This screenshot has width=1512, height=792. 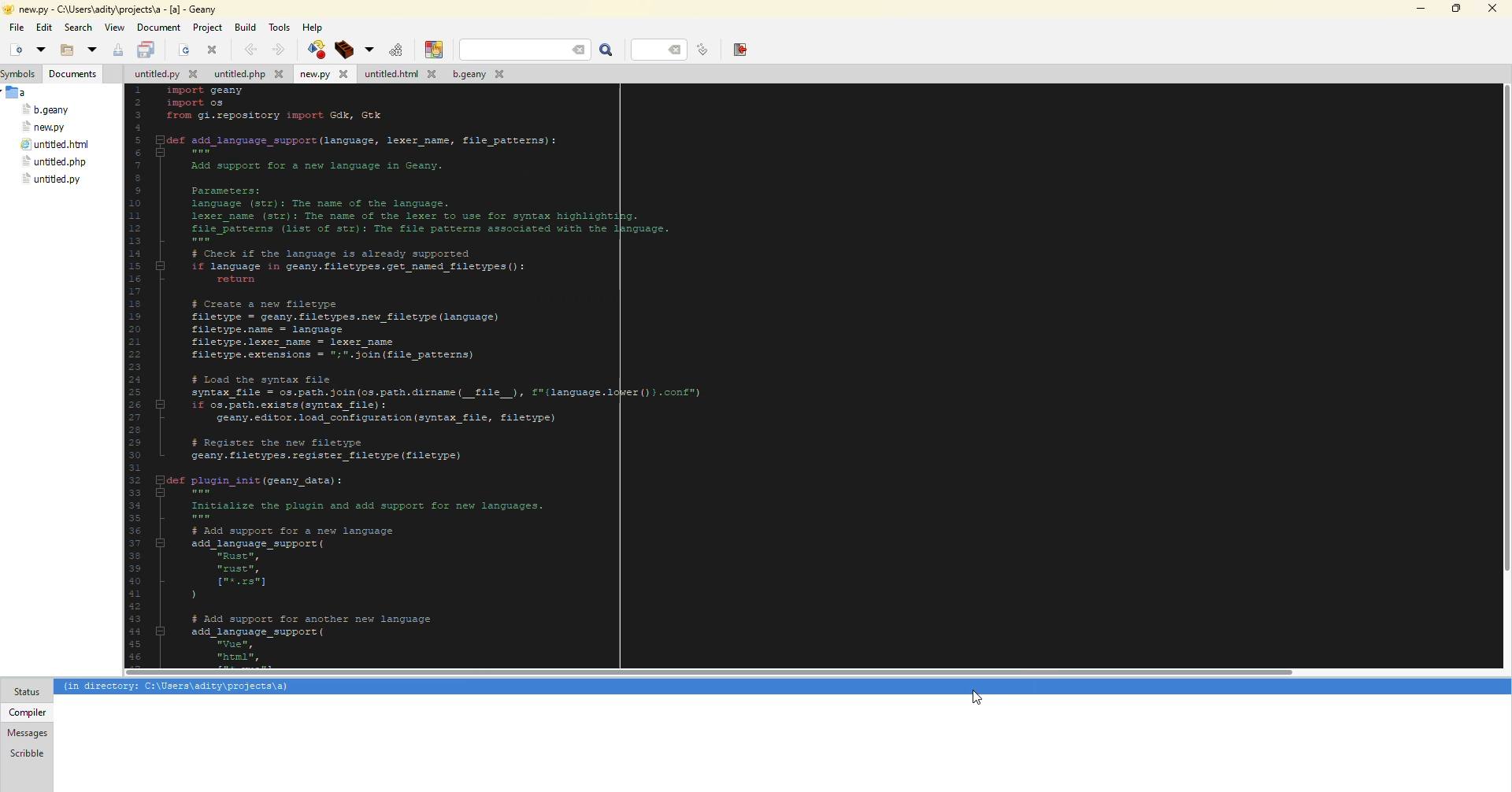 I want to click on documents, so click(x=74, y=74).